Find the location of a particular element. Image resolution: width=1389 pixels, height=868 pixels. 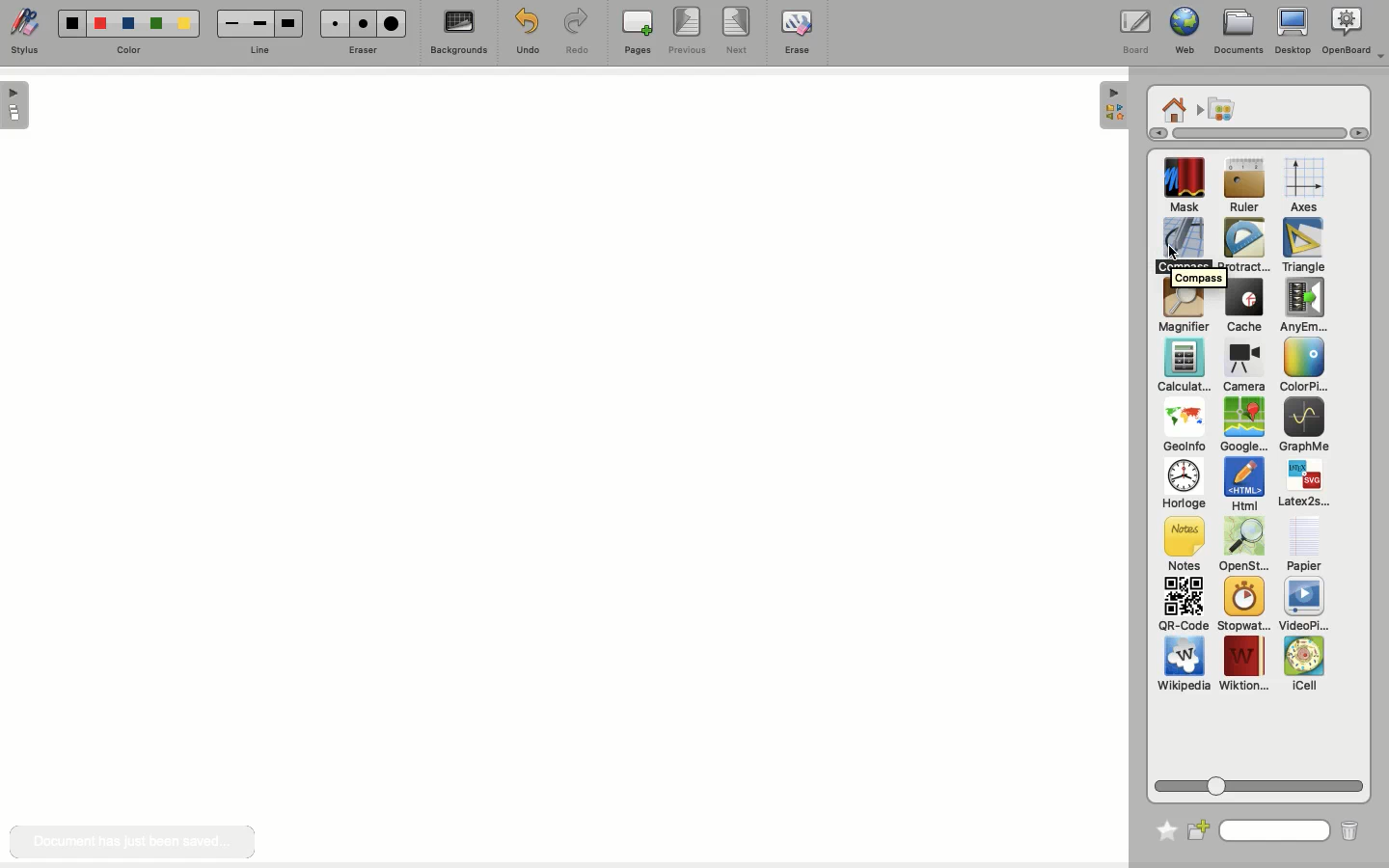

color2 is located at coordinates (97, 22).